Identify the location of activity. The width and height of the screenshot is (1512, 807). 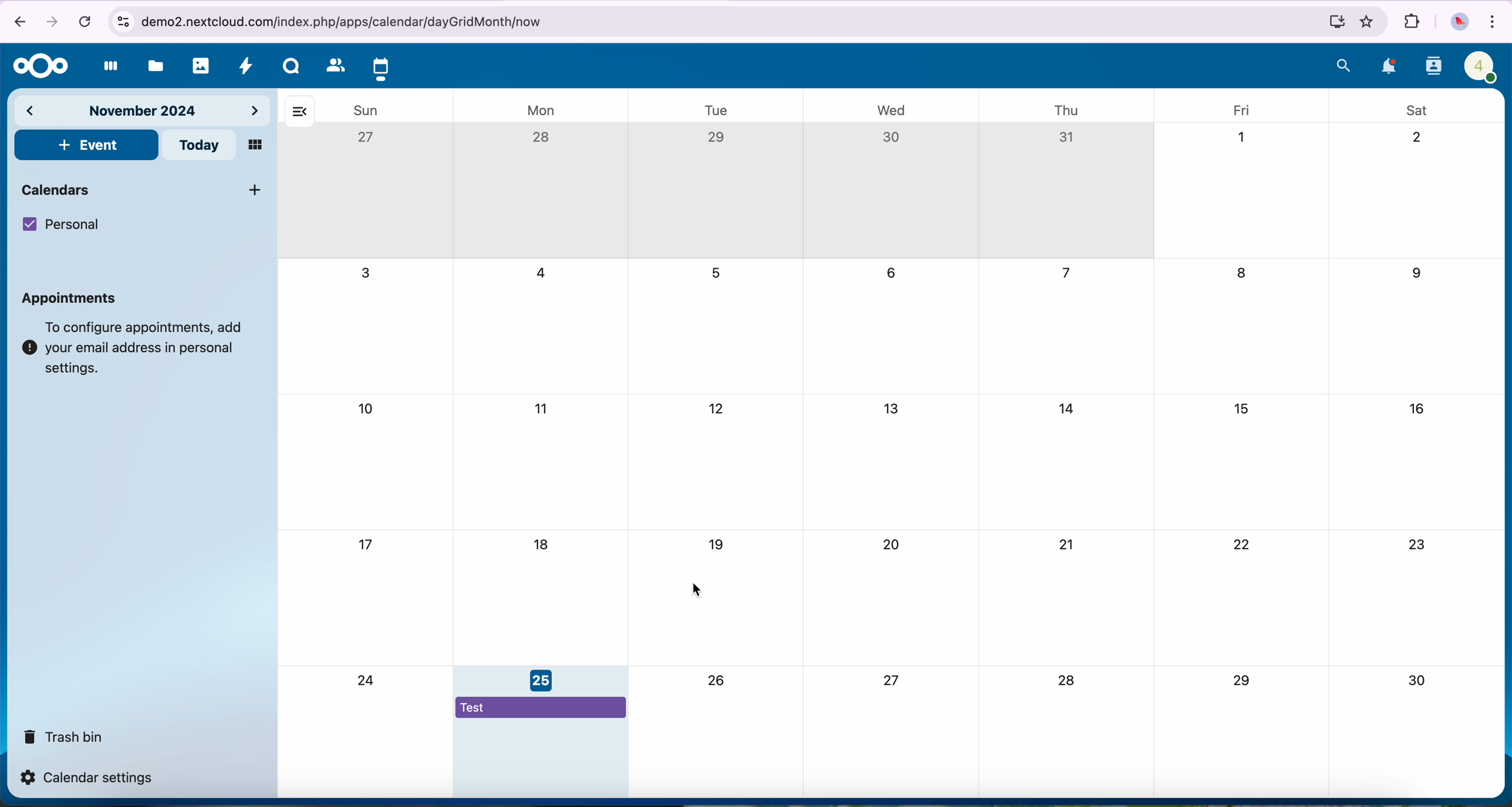
(249, 66).